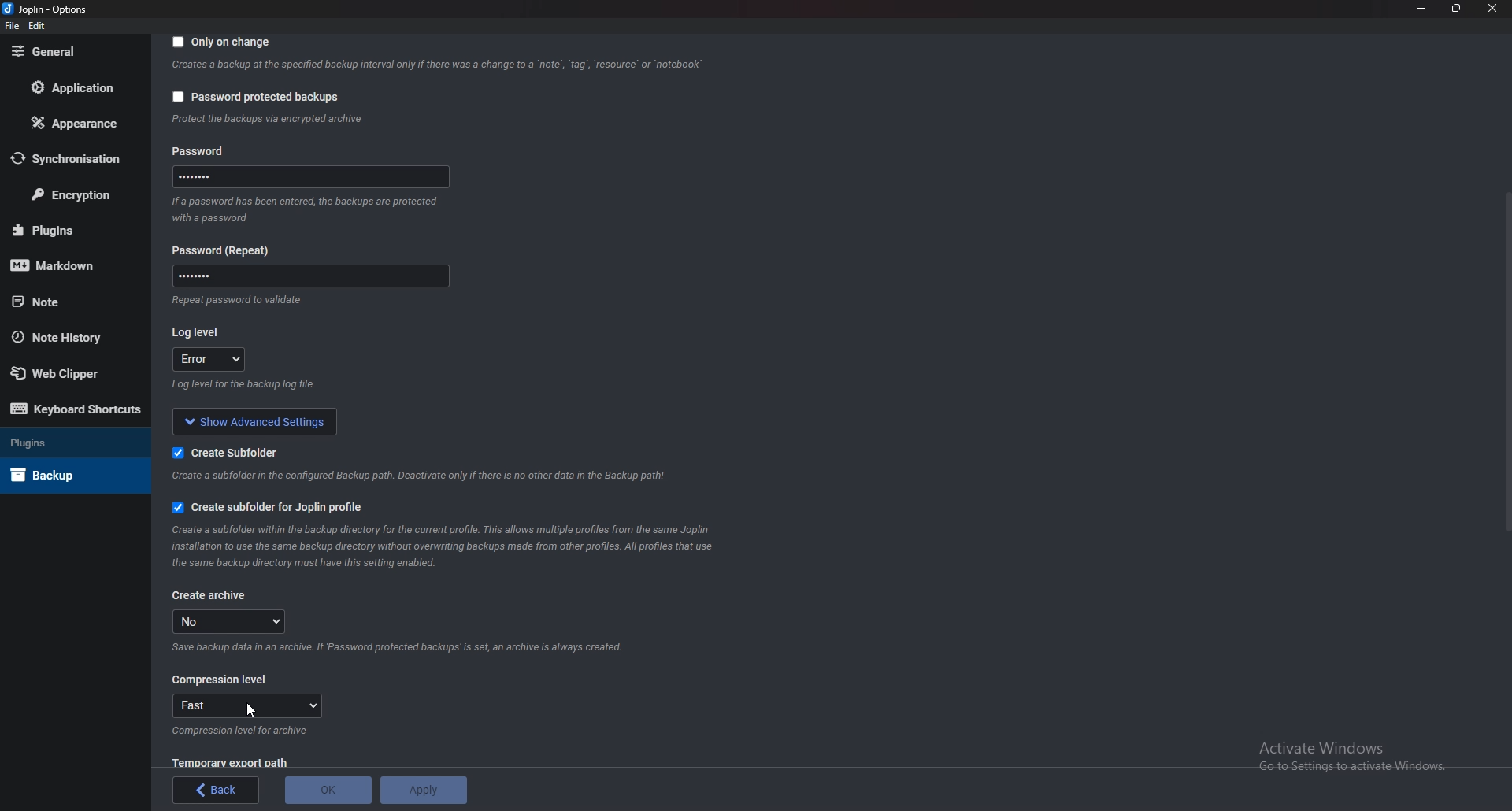 The height and width of the screenshot is (811, 1512). What do you see at coordinates (43, 9) in the screenshot?
I see `Joplin` at bounding box center [43, 9].